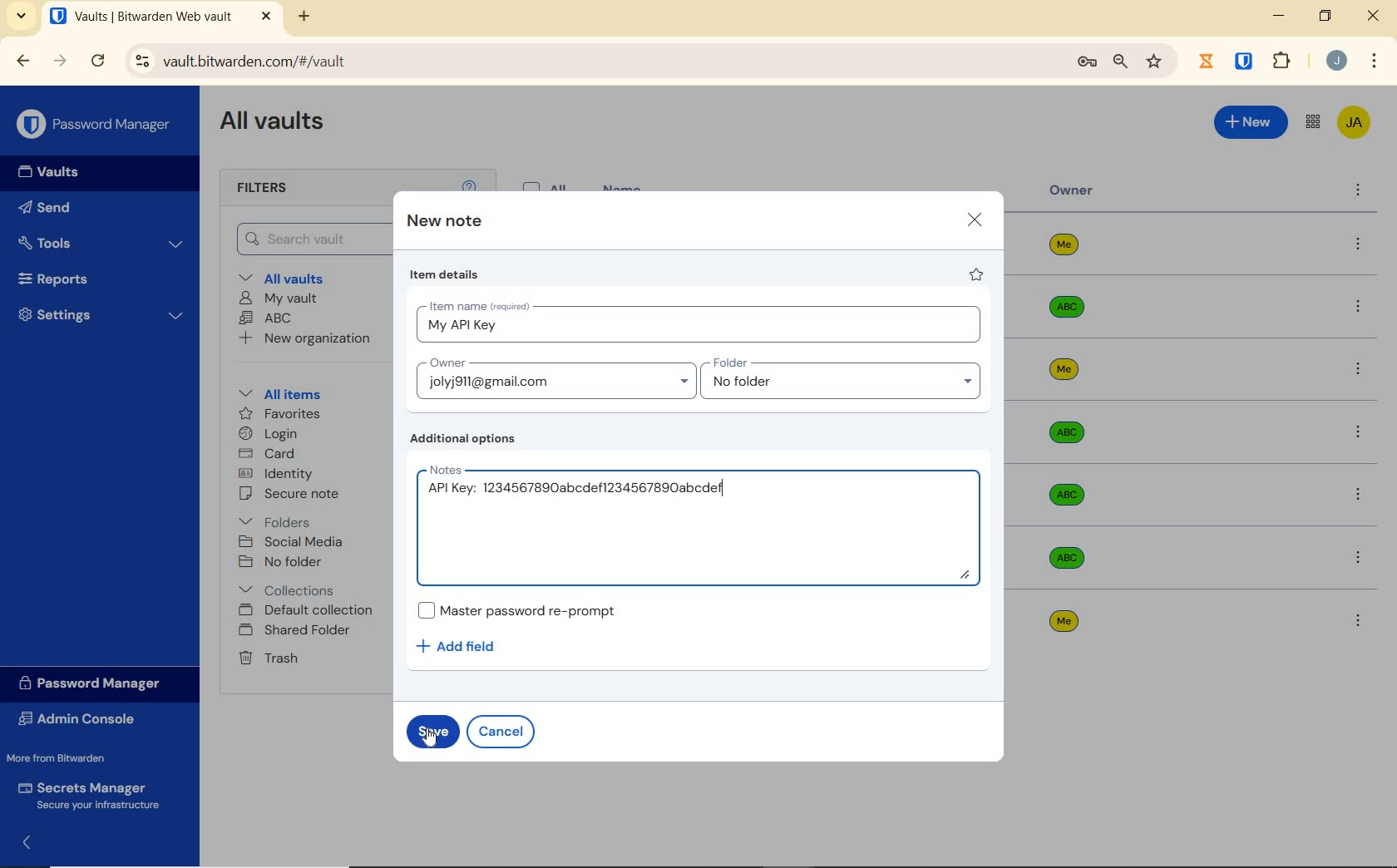 Image resolution: width=1397 pixels, height=868 pixels. I want to click on Input Owner, so click(553, 377).